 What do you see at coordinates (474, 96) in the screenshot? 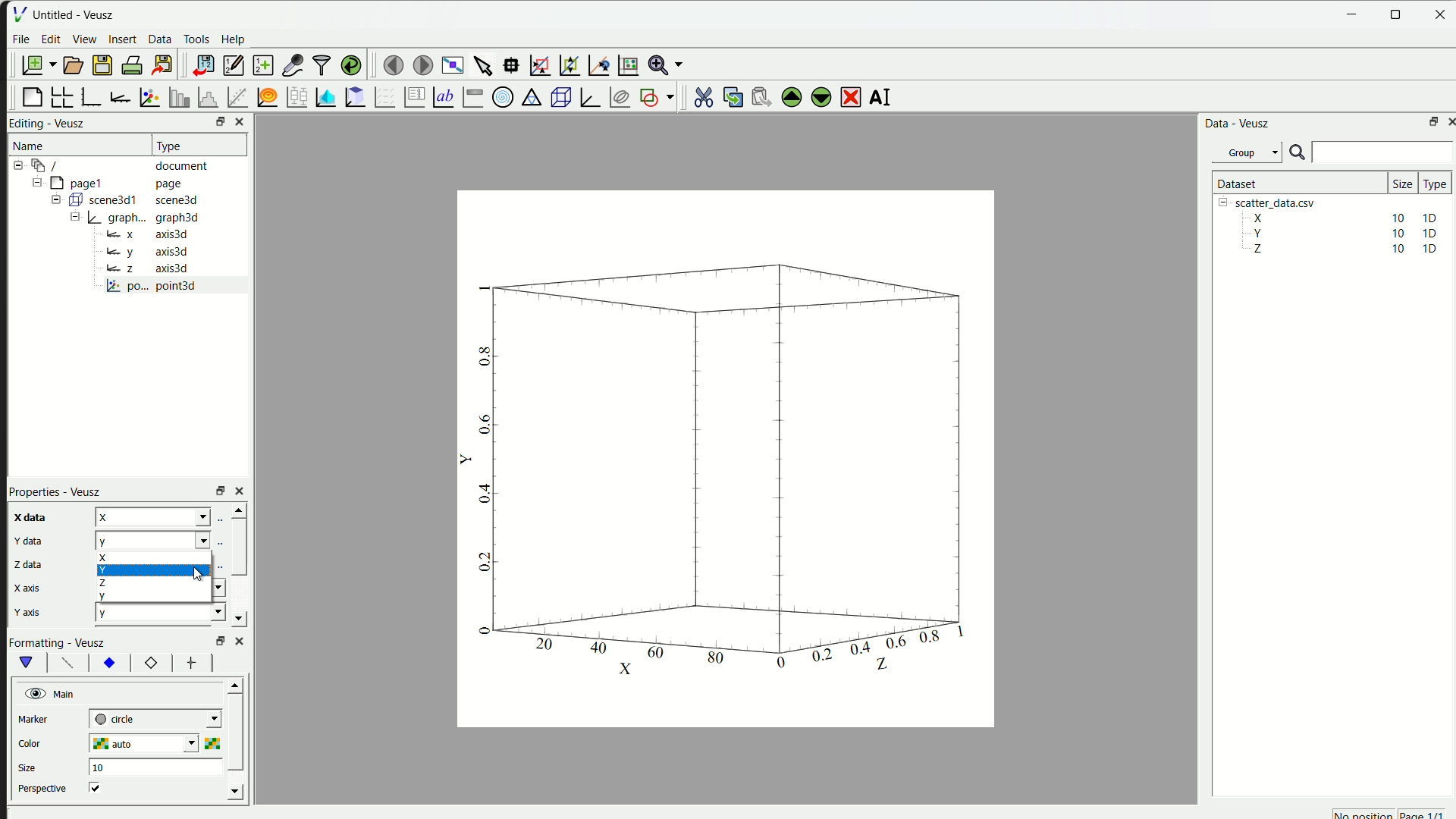
I see `Image color bar` at bounding box center [474, 96].